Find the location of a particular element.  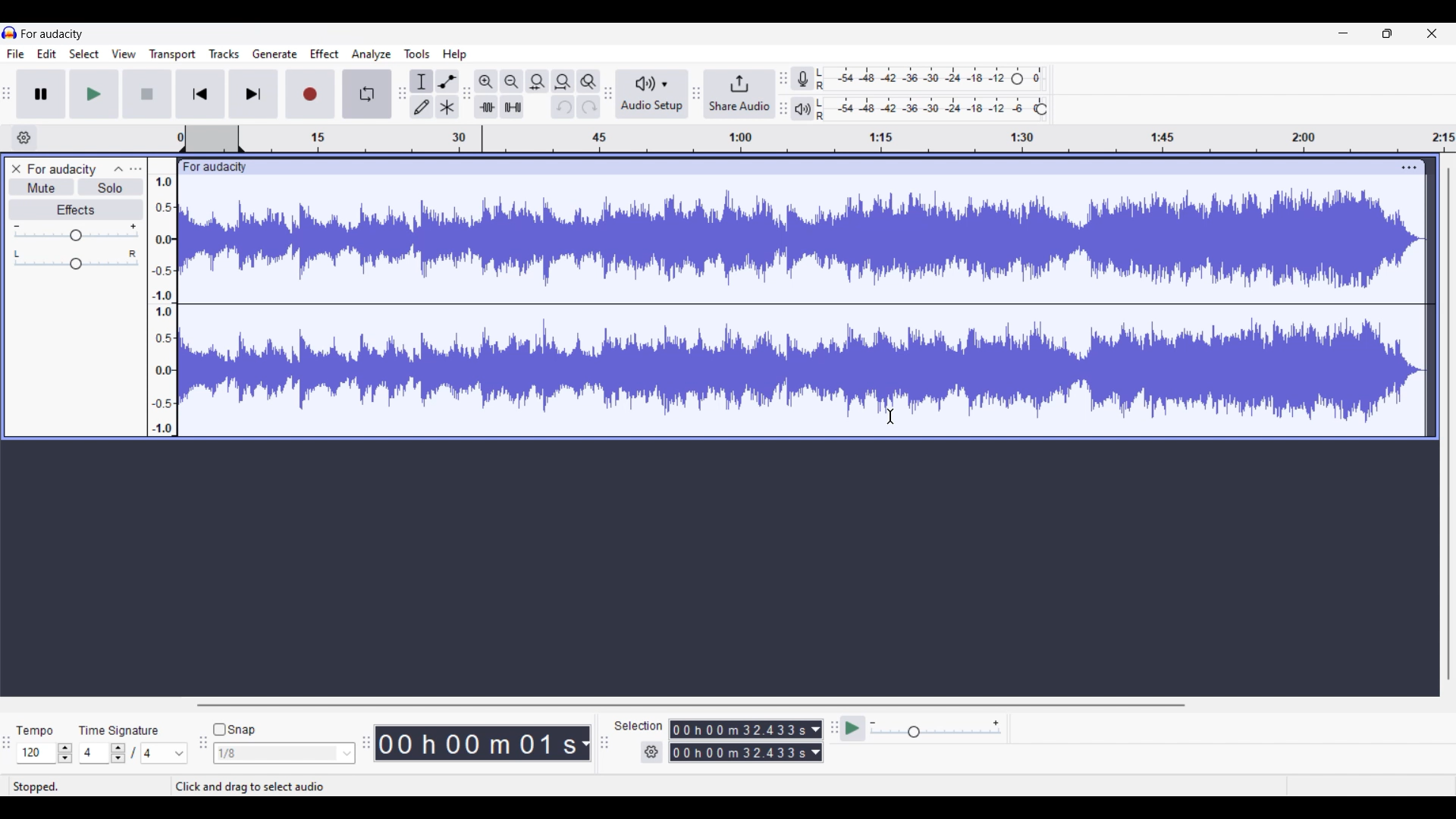

Select menu is located at coordinates (84, 54).